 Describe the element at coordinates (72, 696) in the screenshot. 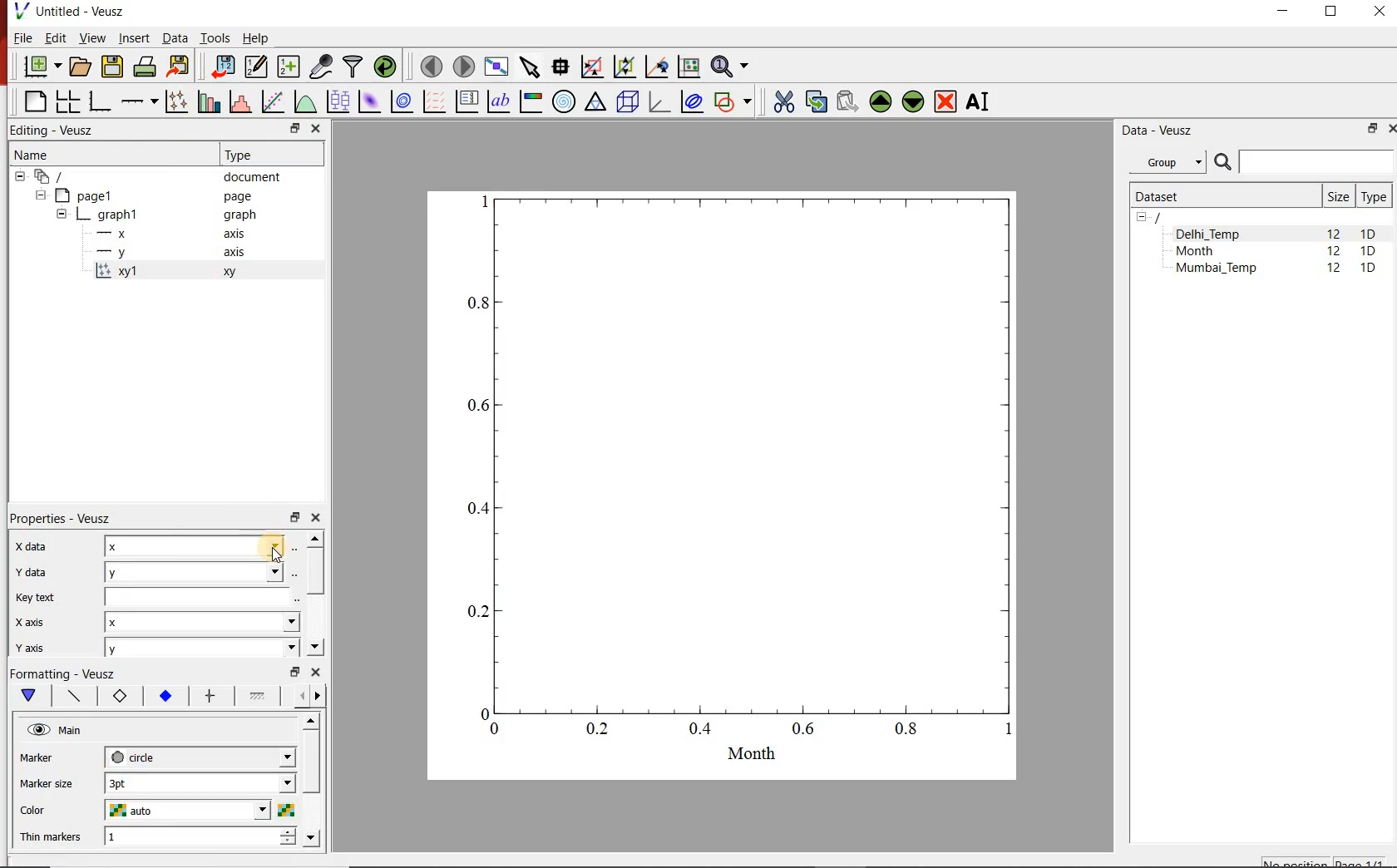

I see `Axis line` at that location.